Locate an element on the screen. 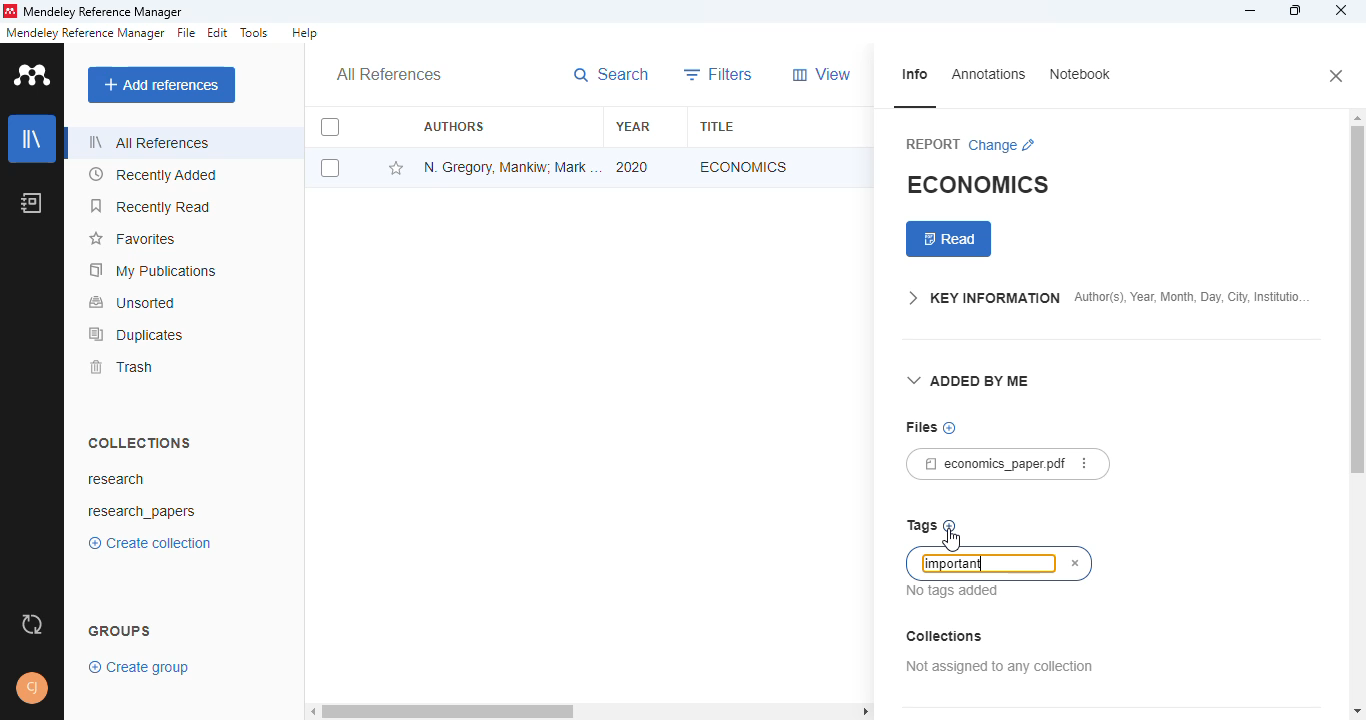 The image size is (1366, 720). year is located at coordinates (633, 126).